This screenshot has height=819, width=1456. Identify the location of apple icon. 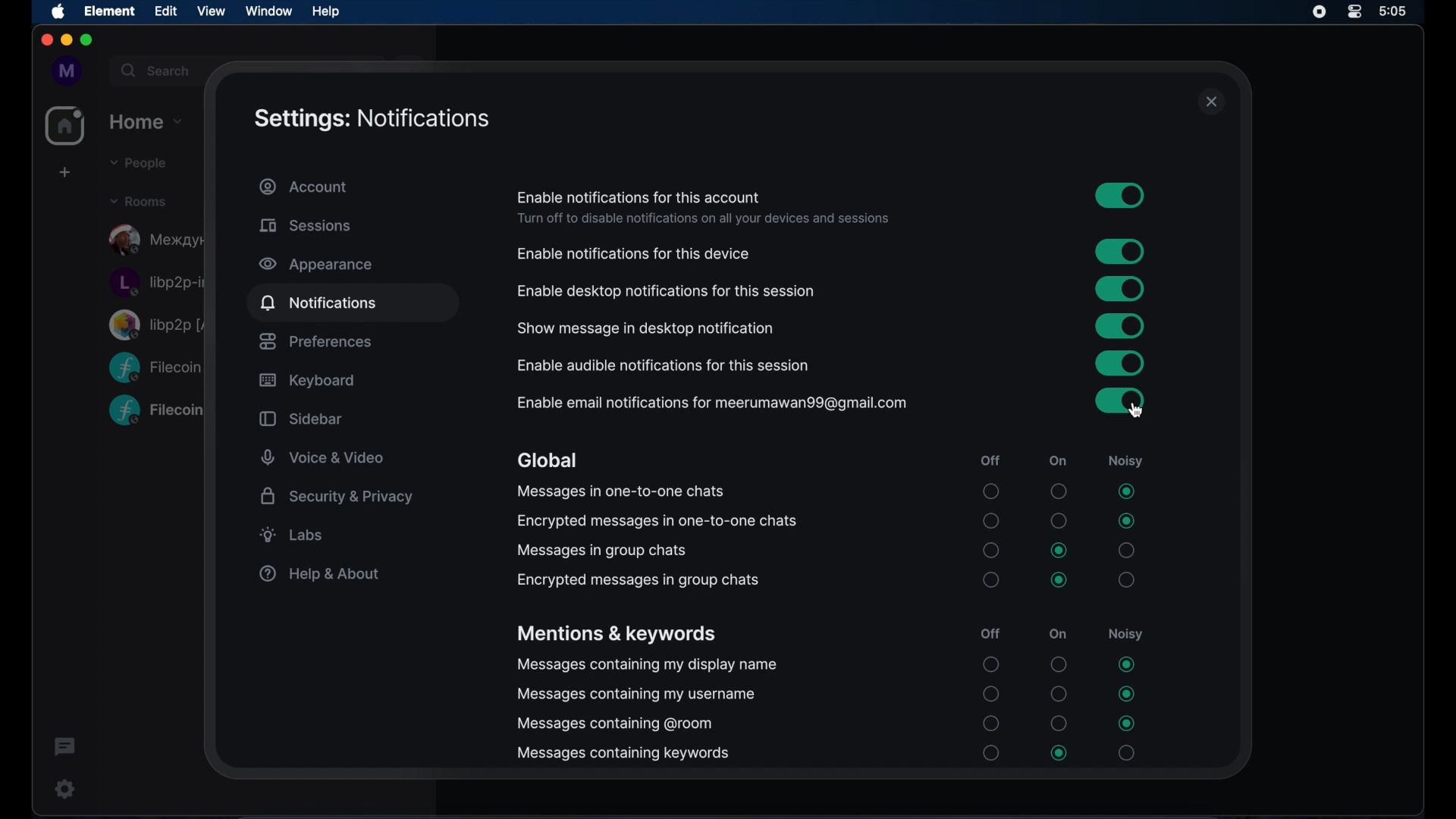
(59, 12).